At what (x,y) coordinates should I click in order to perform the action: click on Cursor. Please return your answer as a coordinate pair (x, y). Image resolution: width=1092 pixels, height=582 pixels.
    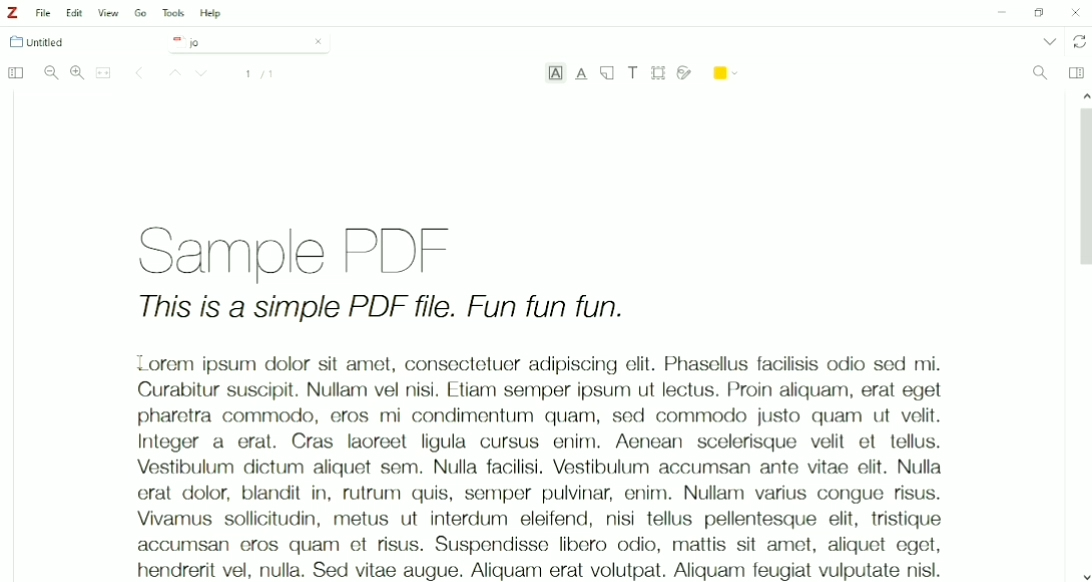
    Looking at the image, I should click on (139, 361).